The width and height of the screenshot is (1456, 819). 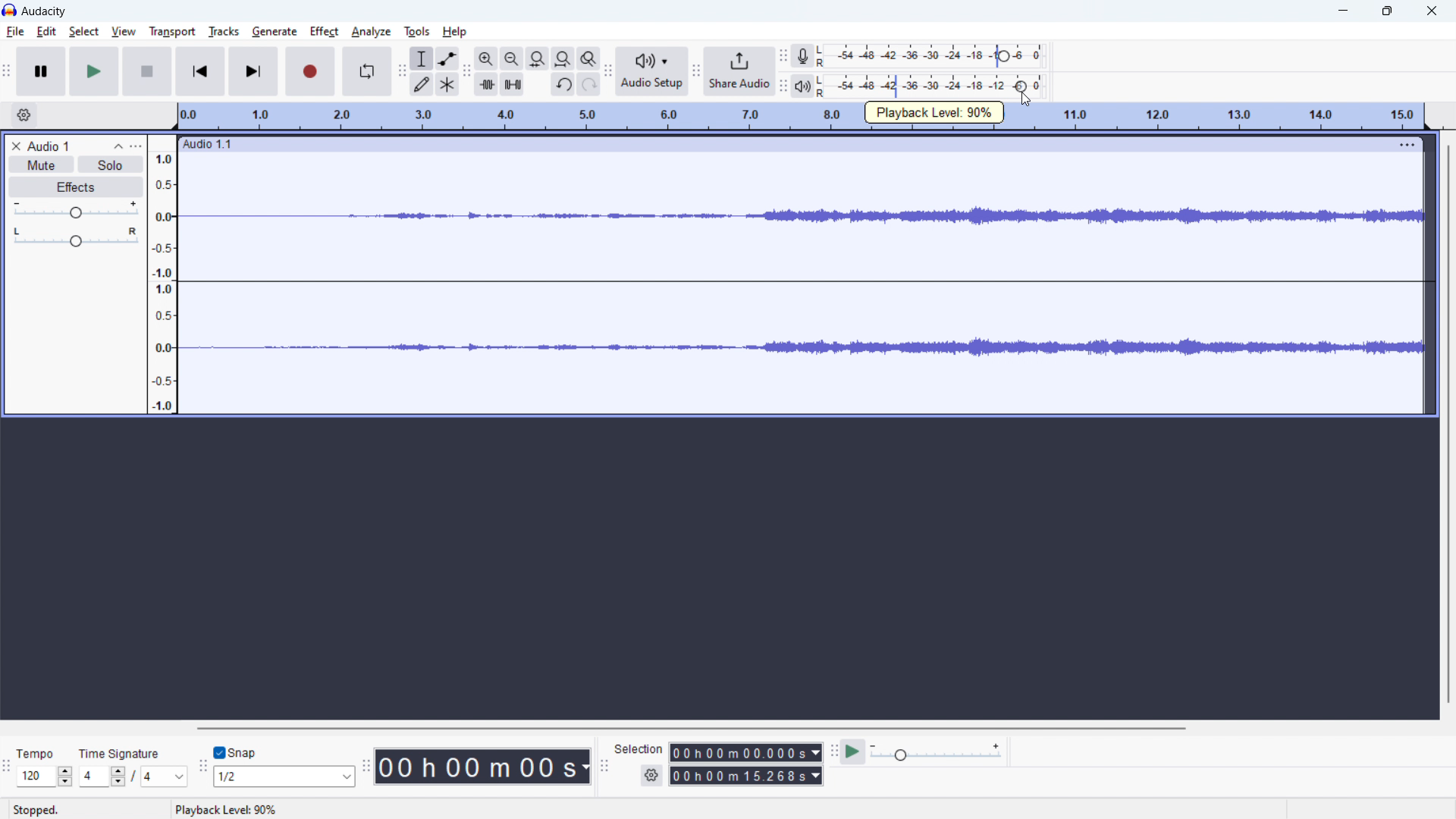 What do you see at coordinates (833, 752) in the screenshot?
I see `play at speed toolbar` at bounding box center [833, 752].